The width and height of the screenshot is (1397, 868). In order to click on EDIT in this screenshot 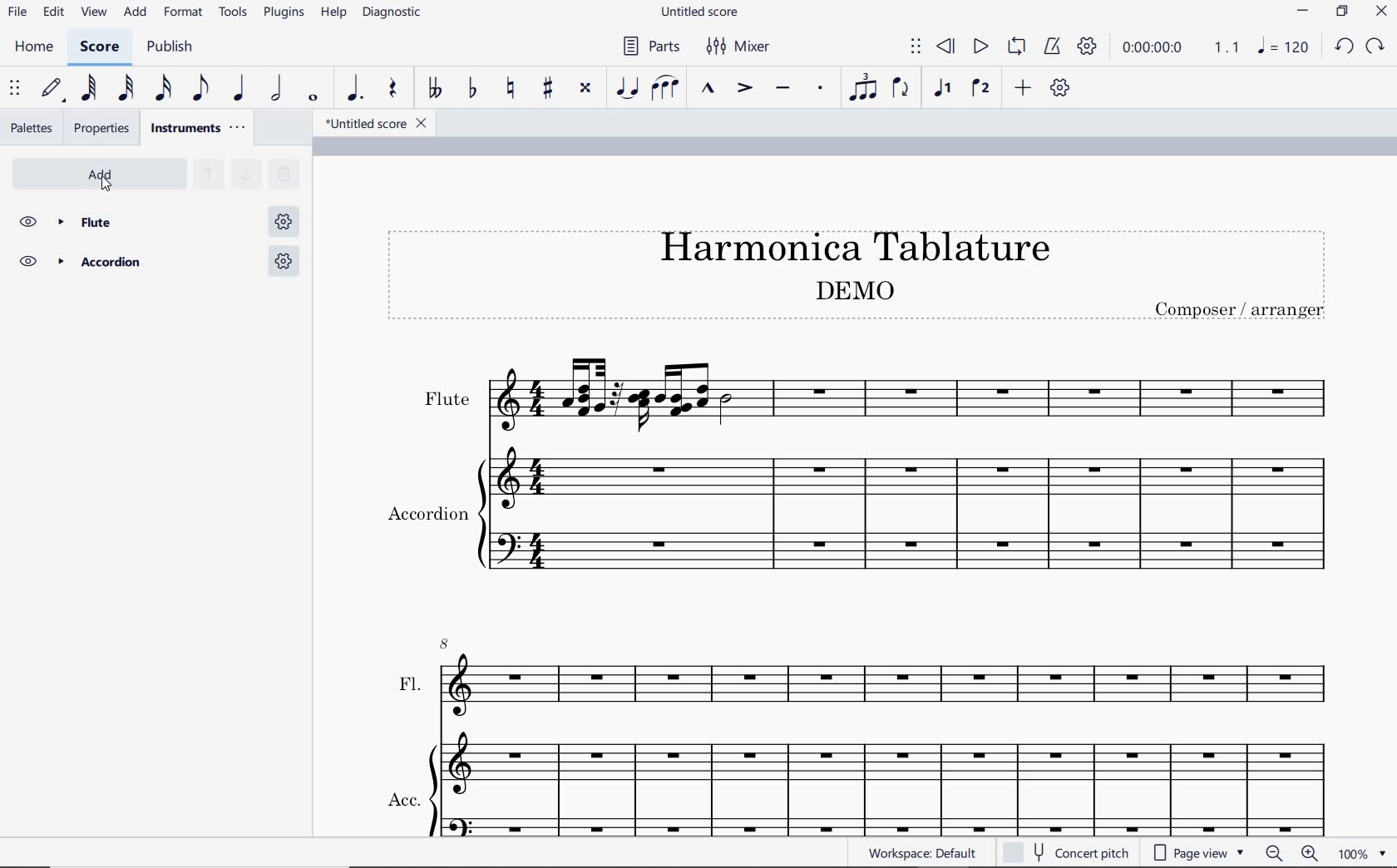, I will do `click(52, 12)`.